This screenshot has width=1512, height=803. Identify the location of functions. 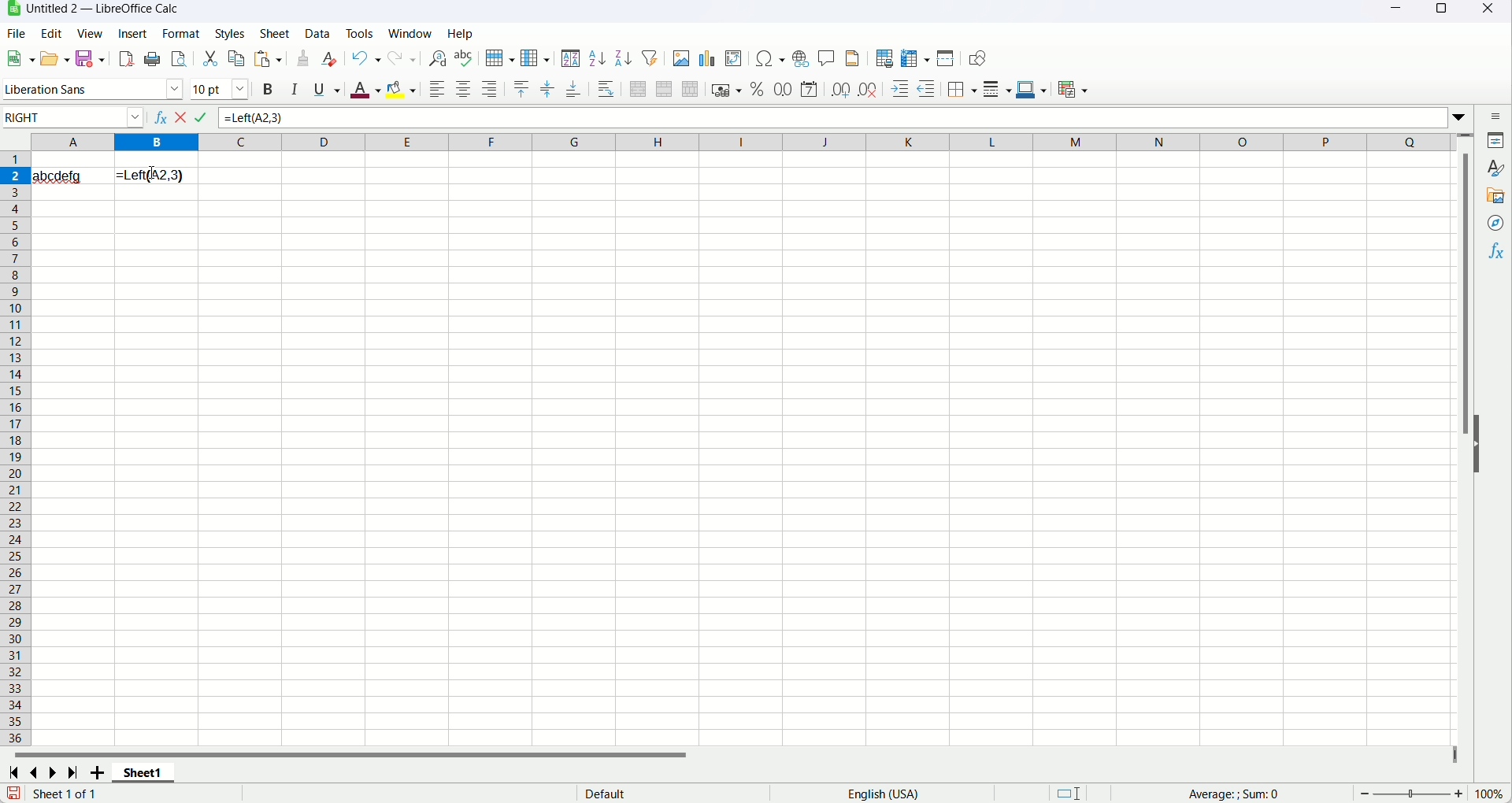
(1496, 253).